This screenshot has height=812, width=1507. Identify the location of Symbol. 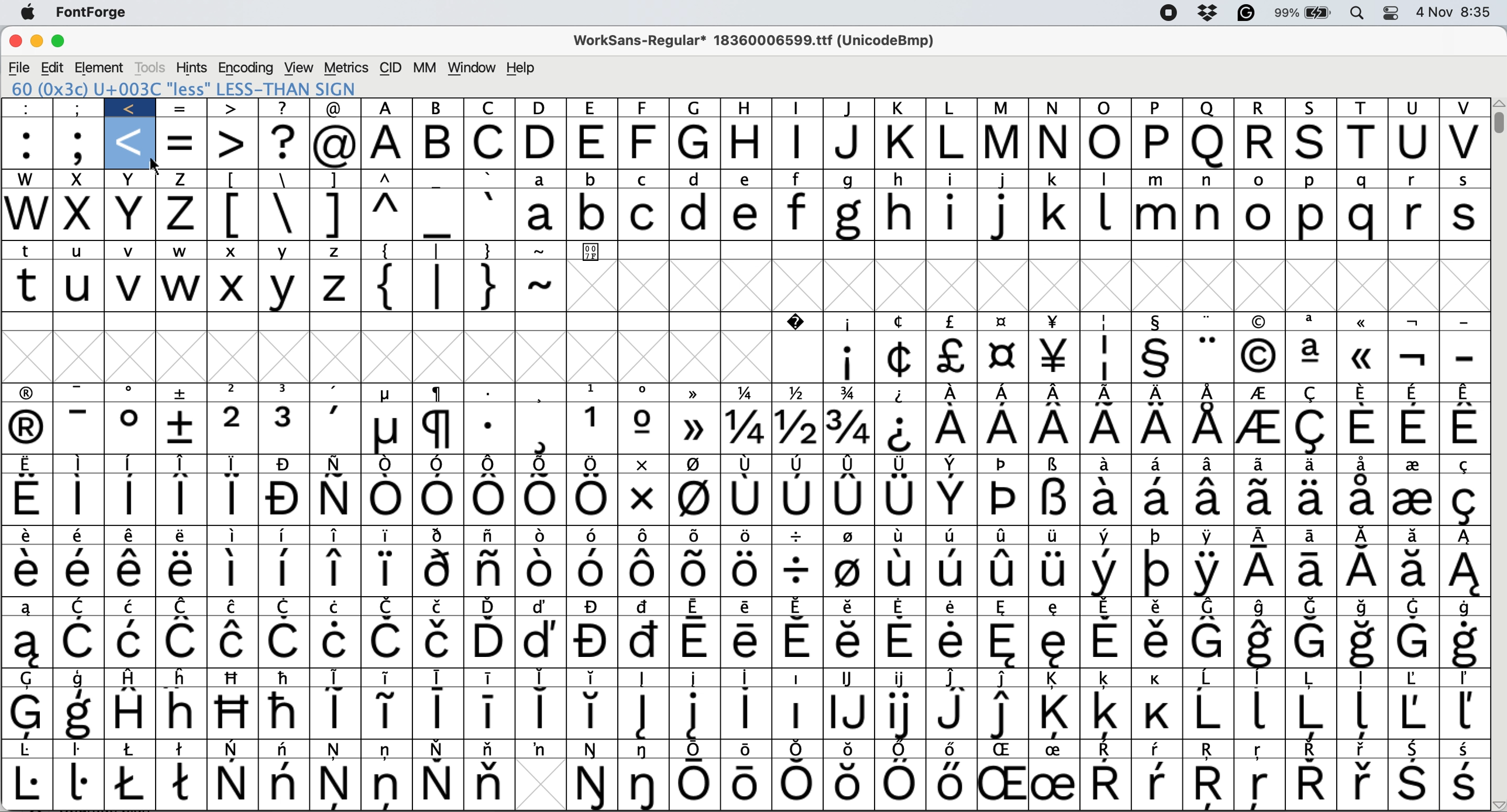
(1466, 536).